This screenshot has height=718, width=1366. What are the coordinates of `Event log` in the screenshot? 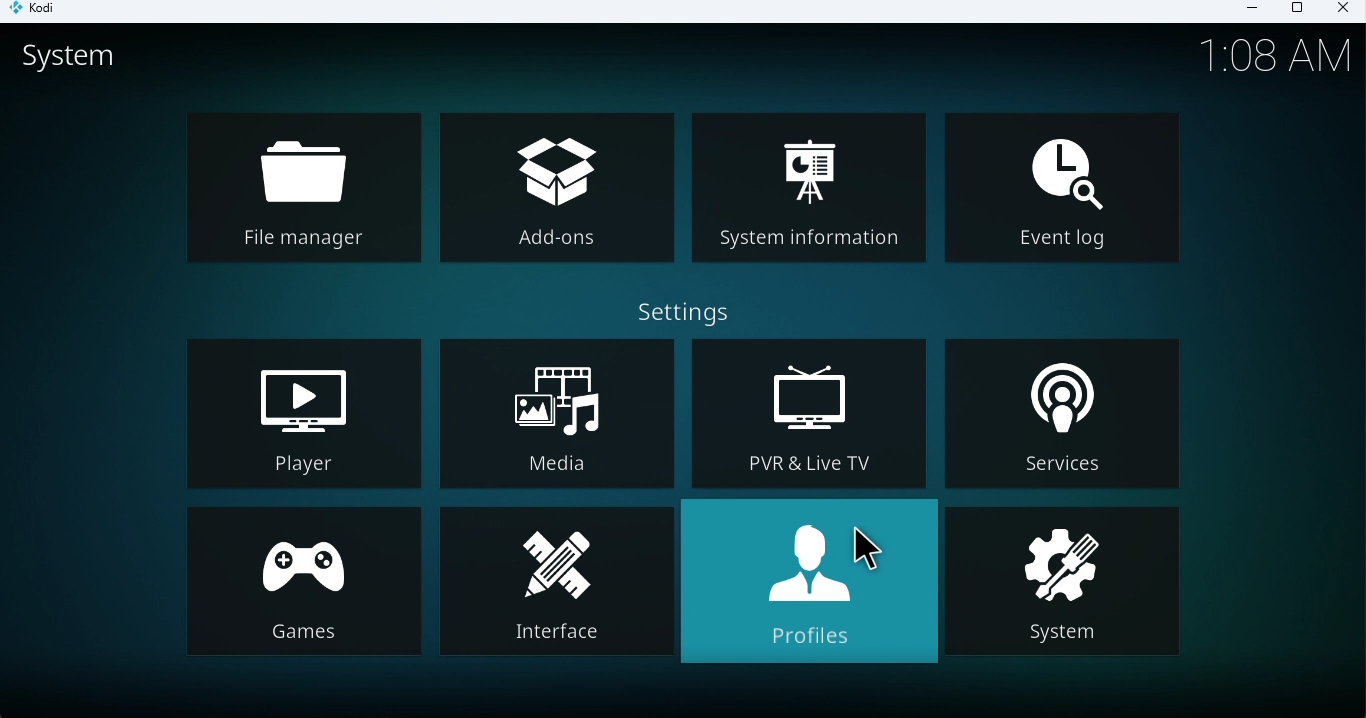 It's located at (1067, 190).